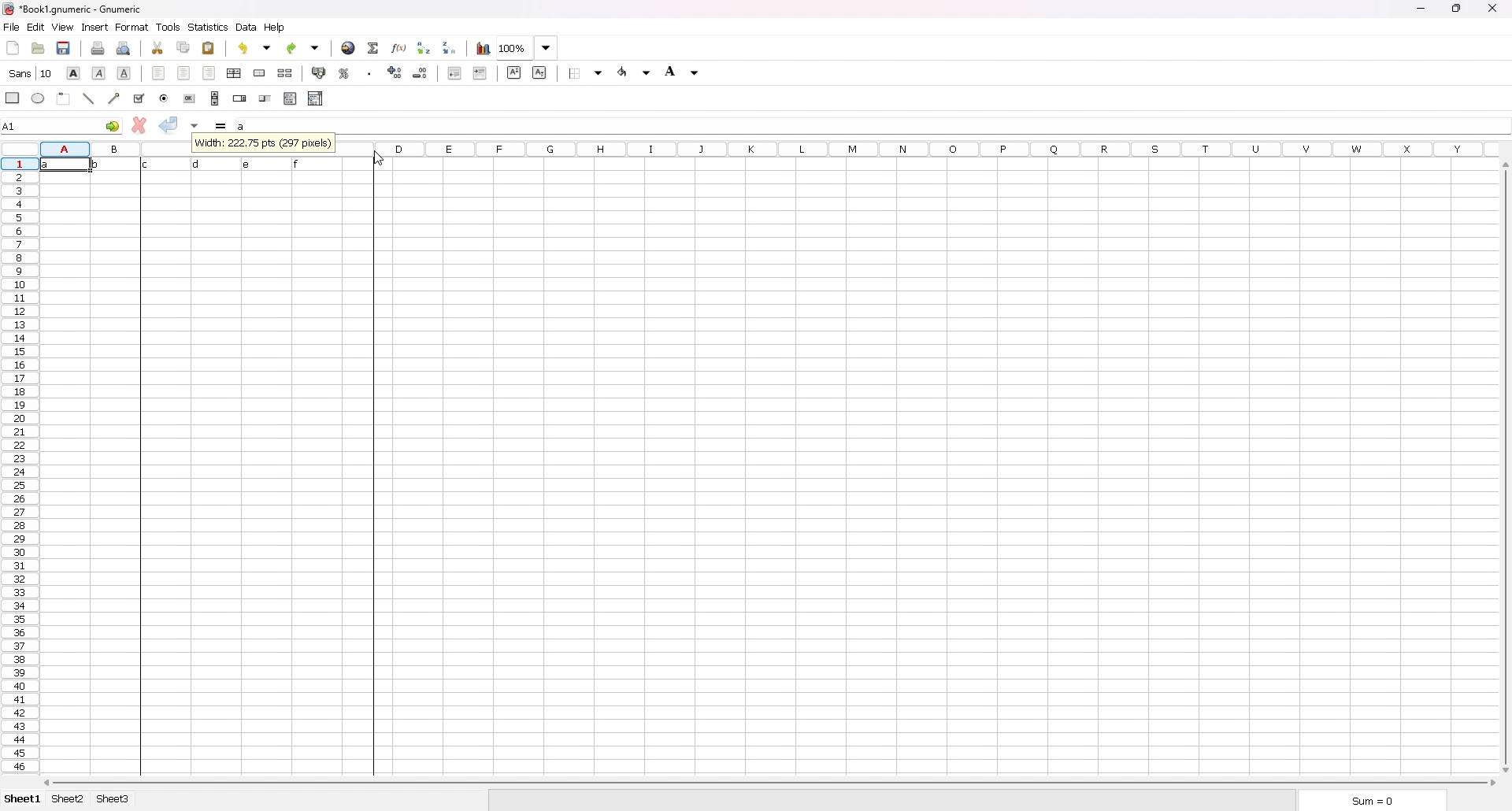  I want to click on scroll bar, so click(215, 98).